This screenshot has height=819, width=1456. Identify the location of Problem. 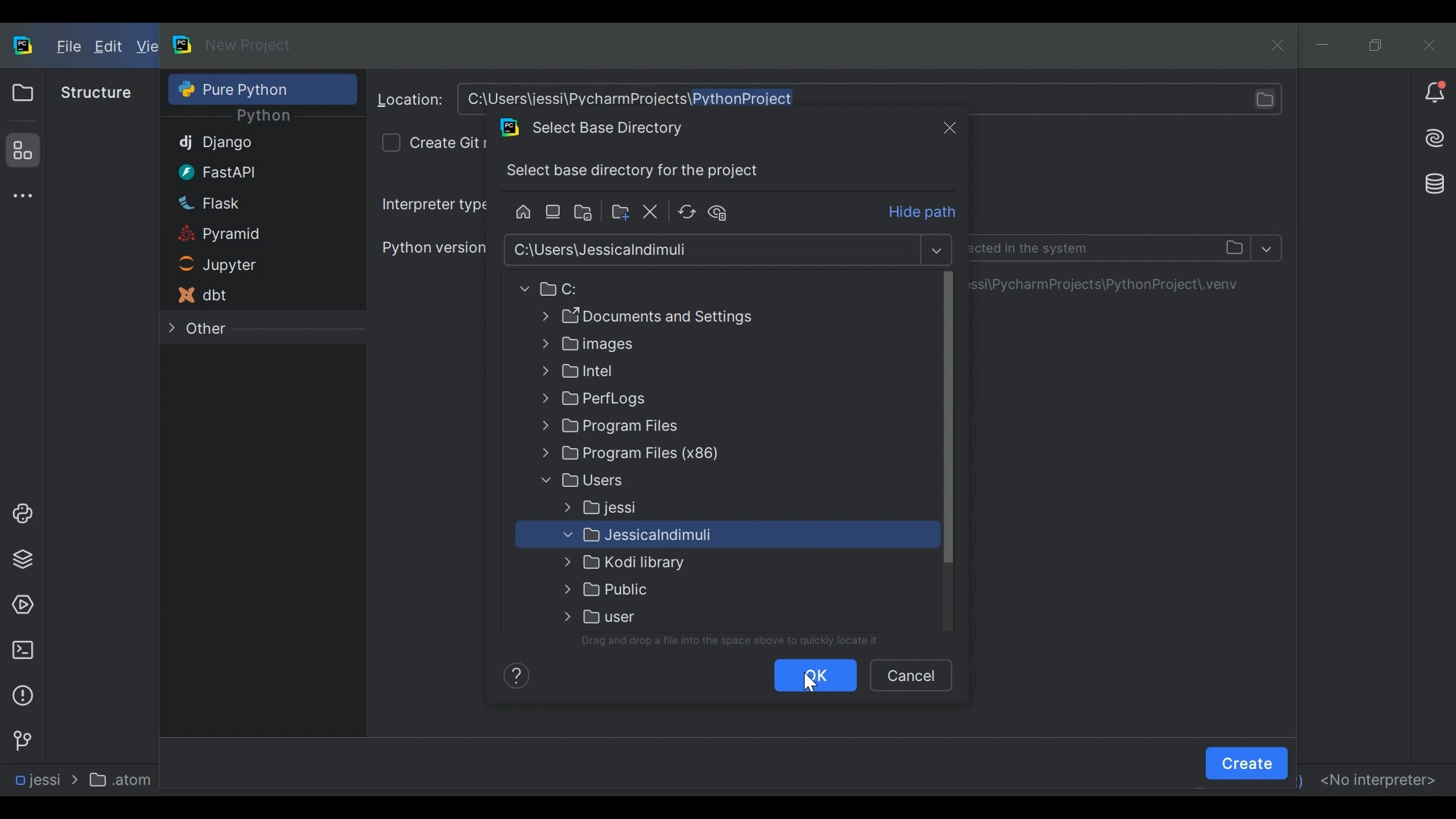
(22, 695).